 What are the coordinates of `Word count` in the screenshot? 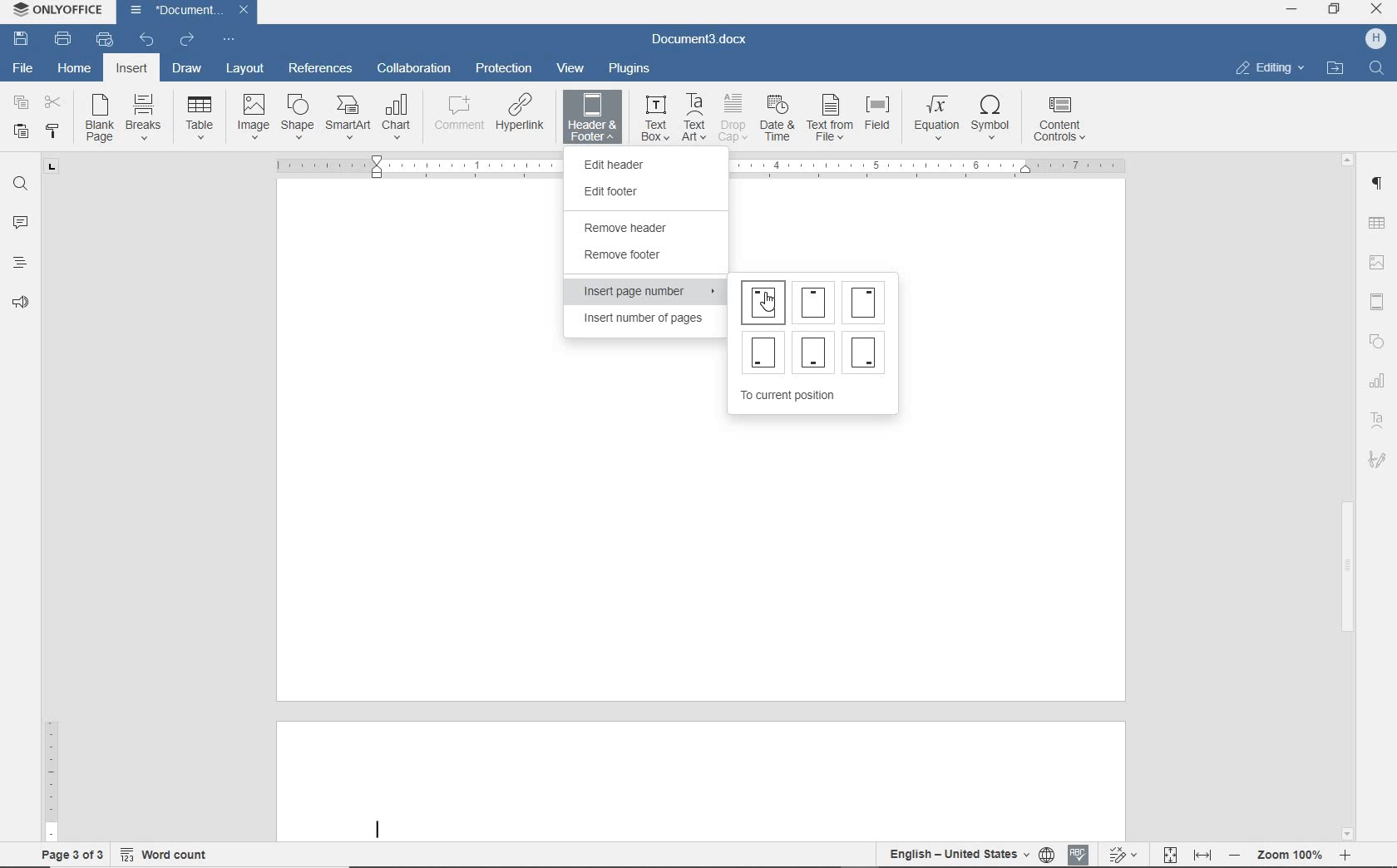 It's located at (165, 851).